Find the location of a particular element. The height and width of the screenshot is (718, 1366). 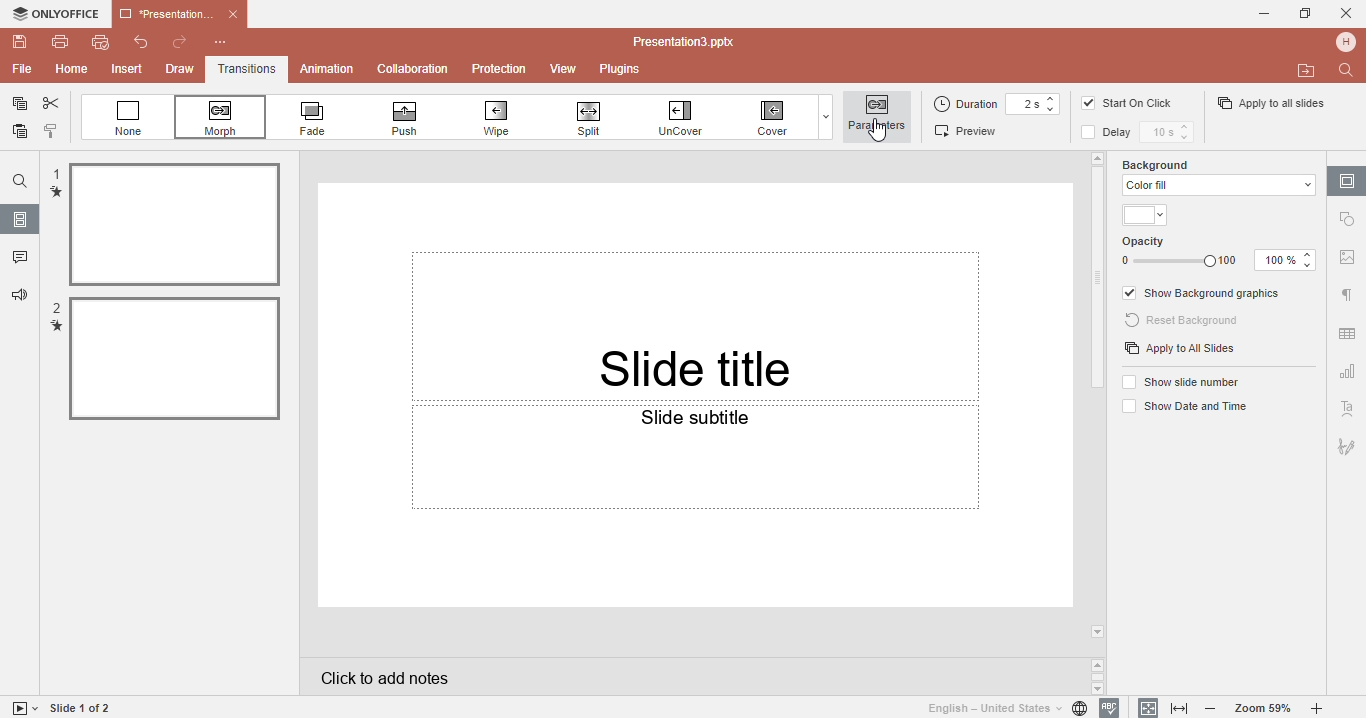

Fit to width is located at coordinates (1181, 709).